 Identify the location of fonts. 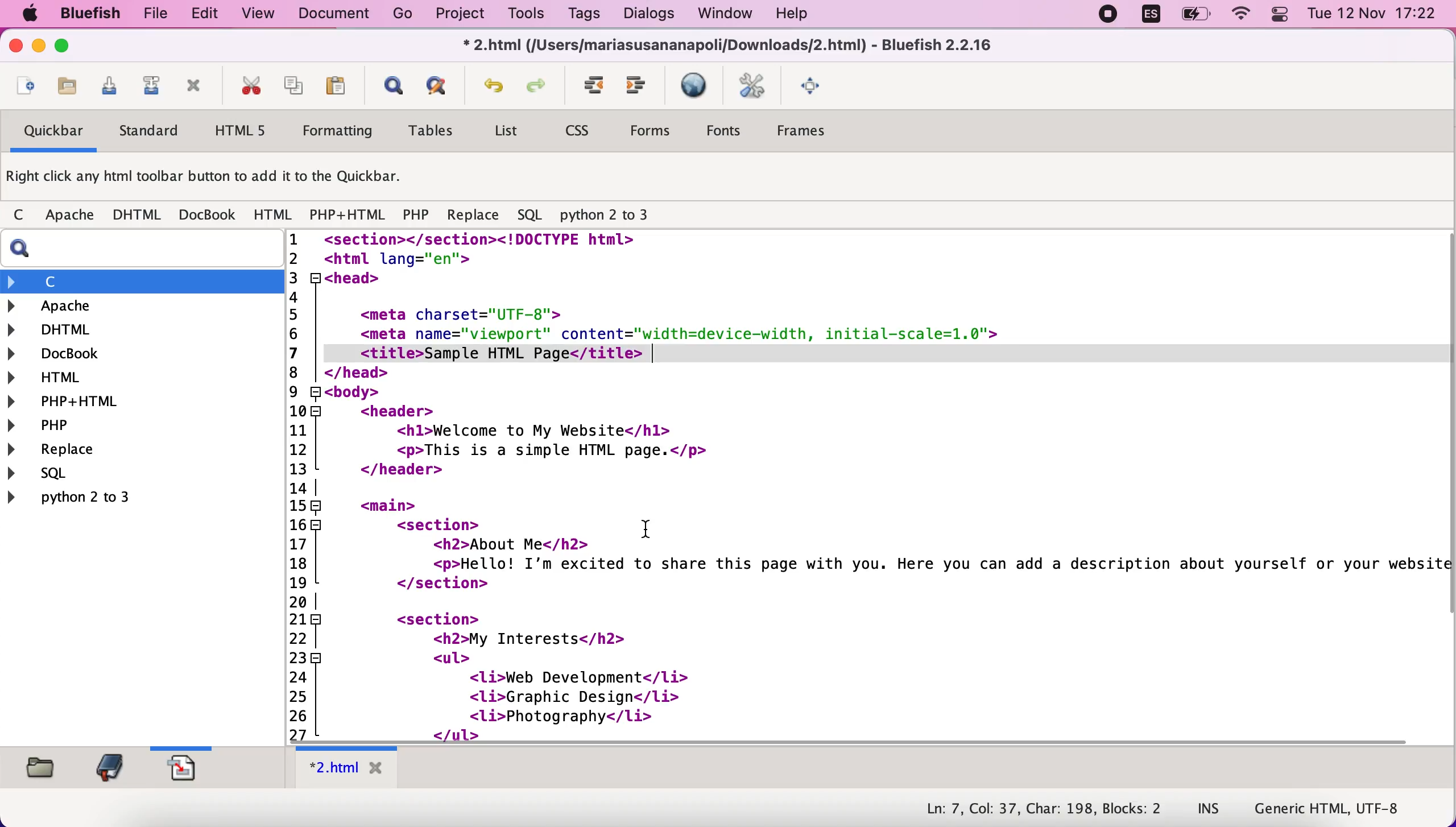
(731, 131).